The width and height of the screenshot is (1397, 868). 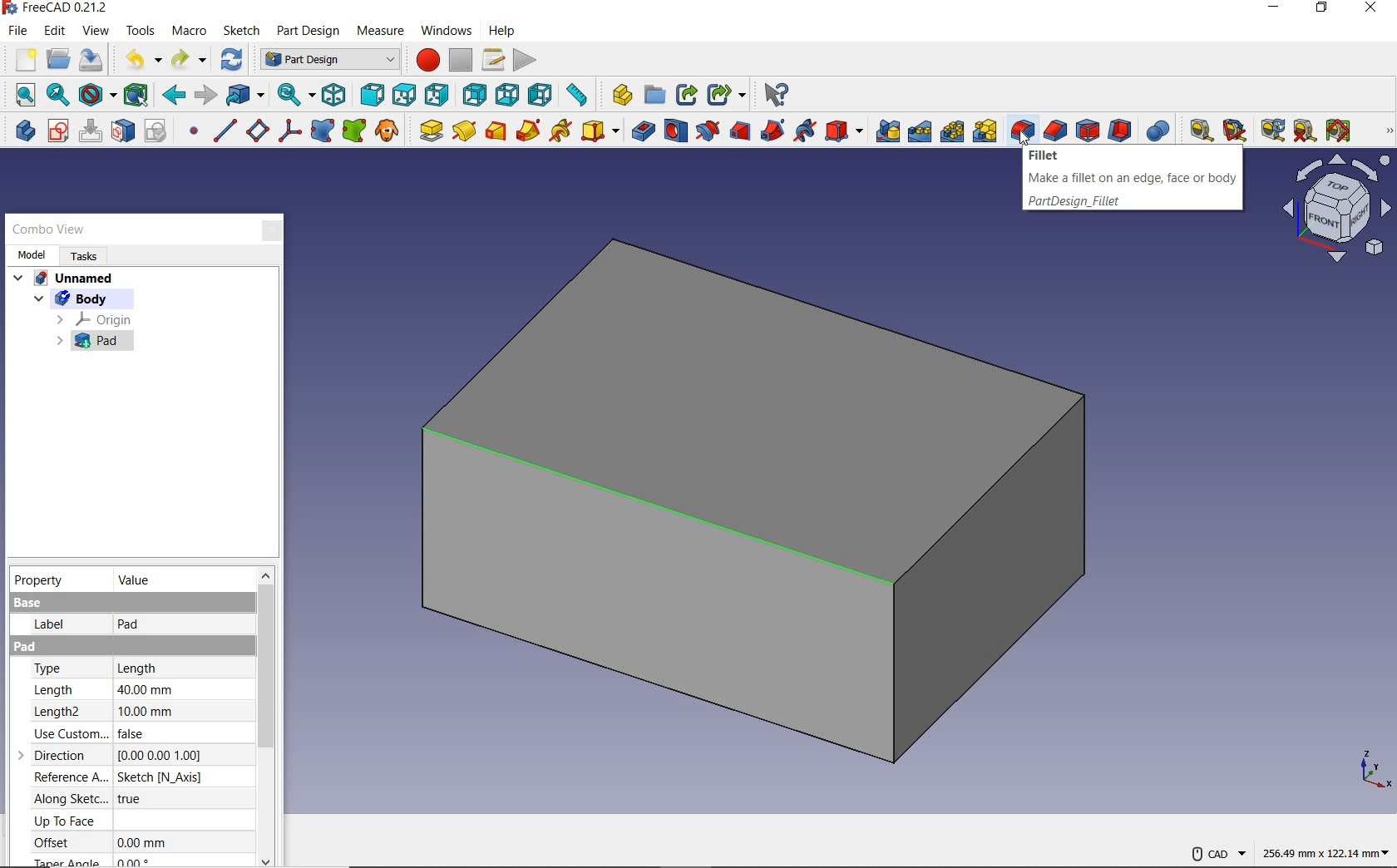 I want to click on create a datum plane, so click(x=256, y=131).